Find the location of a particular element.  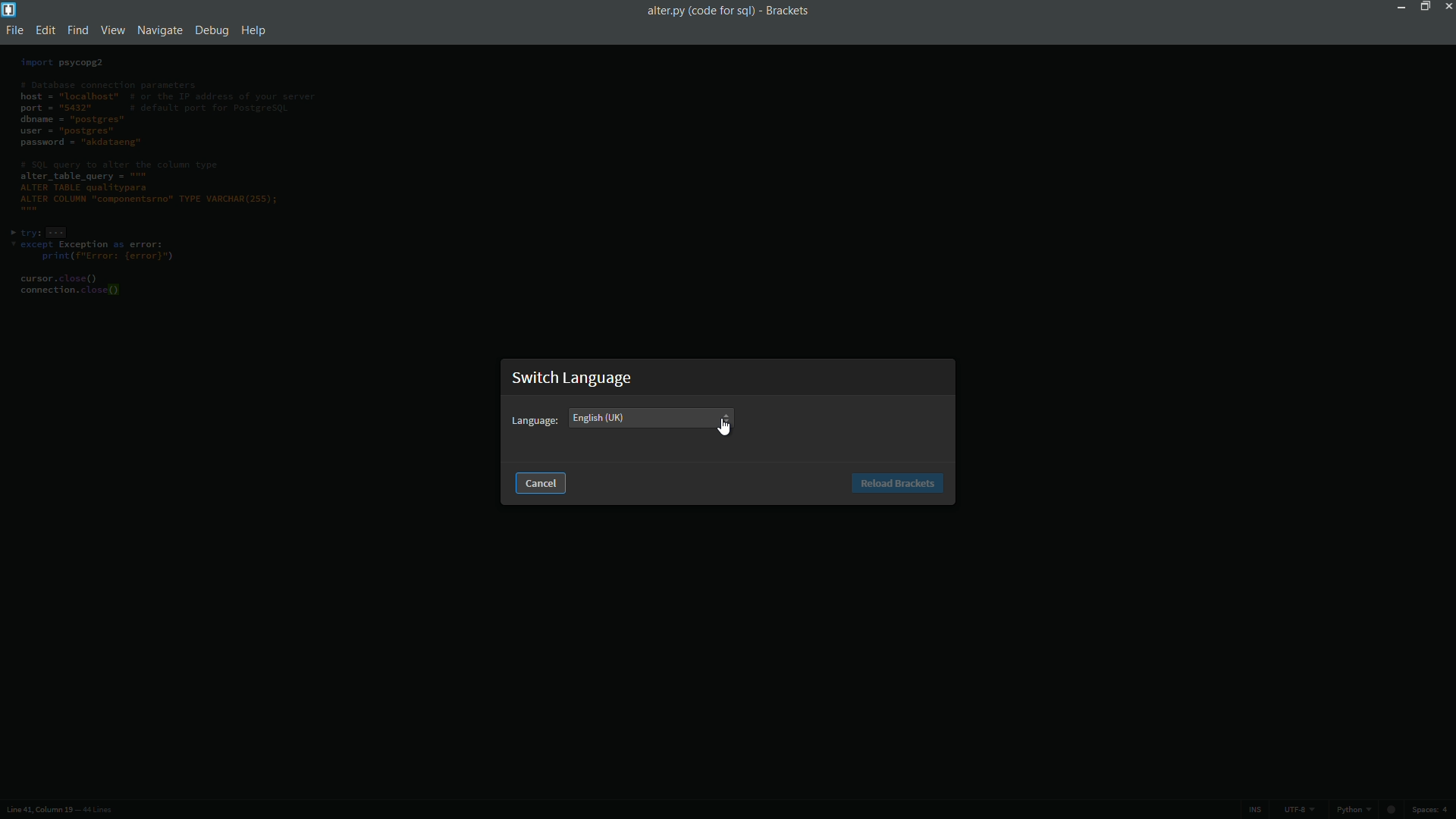

english is located at coordinates (601, 419).